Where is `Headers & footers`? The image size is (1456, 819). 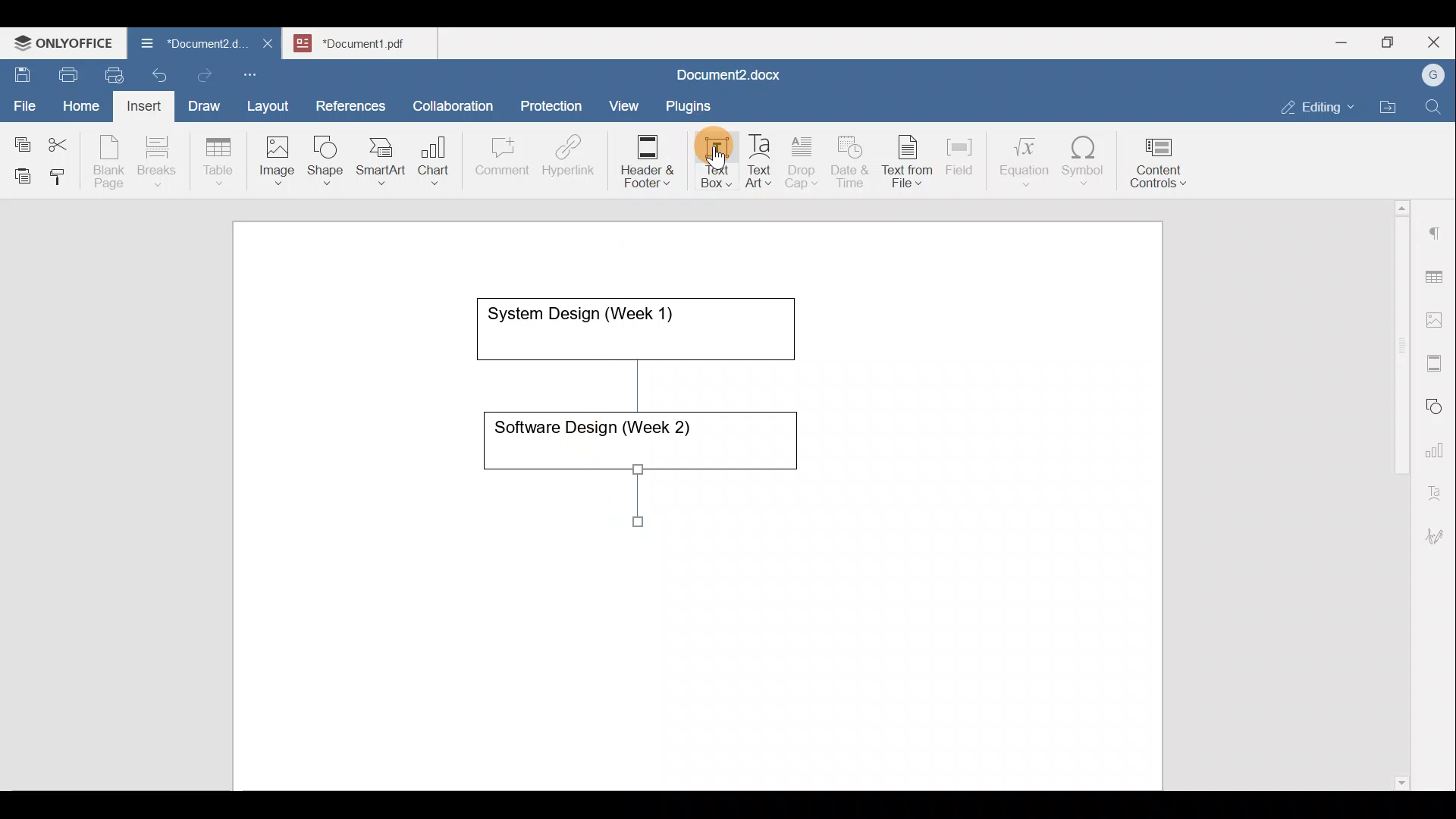 Headers & footers is located at coordinates (1437, 359).